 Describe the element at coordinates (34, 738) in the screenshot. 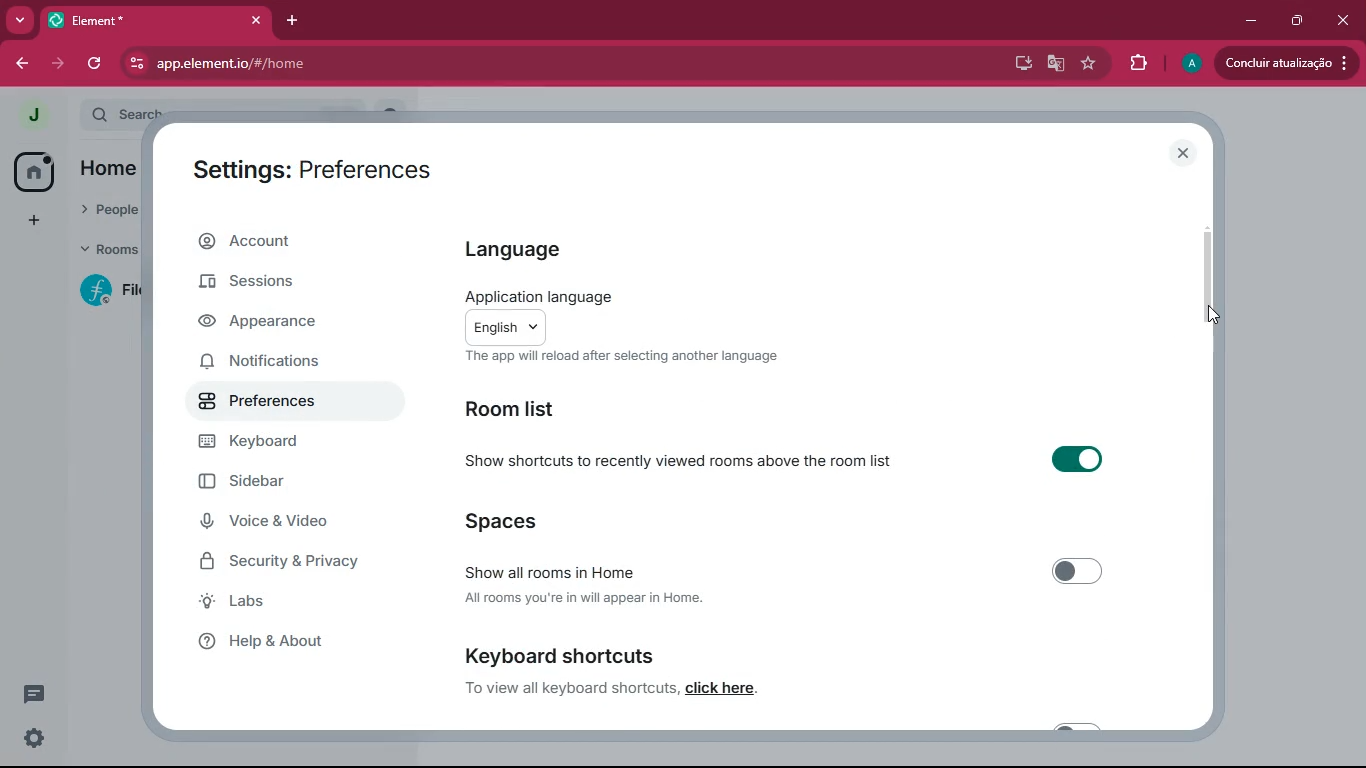

I see `settings` at that location.